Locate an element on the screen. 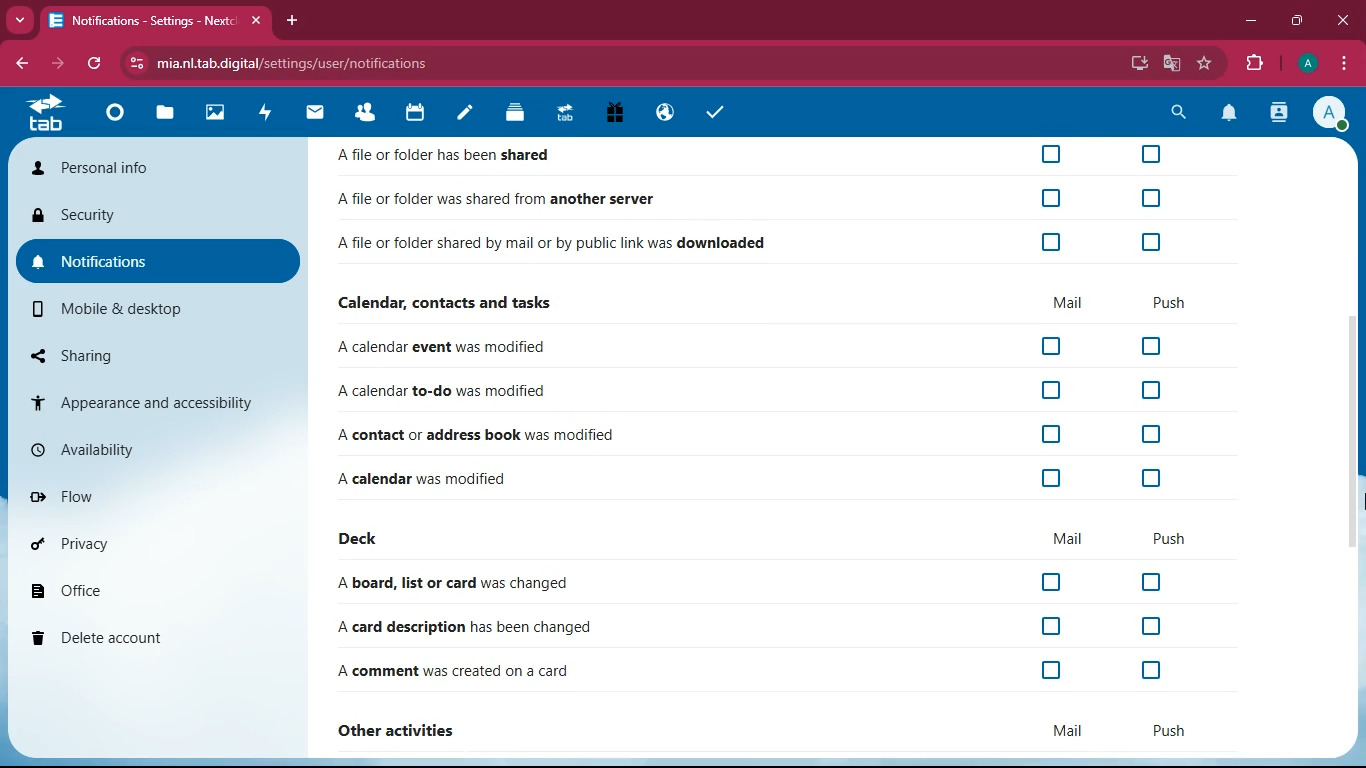  forward is located at coordinates (55, 64).